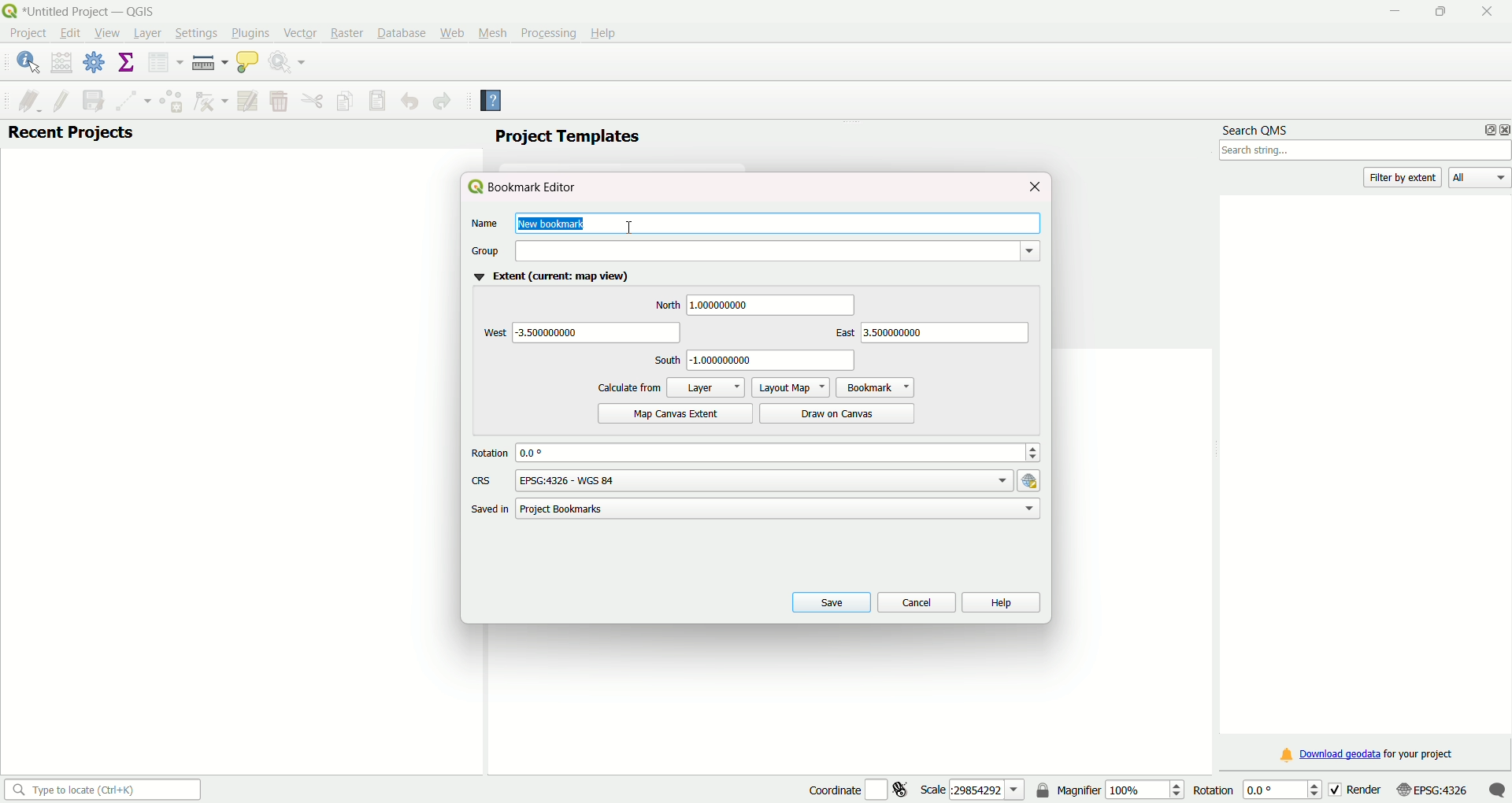 This screenshot has width=1512, height=803. What do you see at coordinates (346, 100) in the screenshot?
I see `copy feature` at bounding box center [346, 100].